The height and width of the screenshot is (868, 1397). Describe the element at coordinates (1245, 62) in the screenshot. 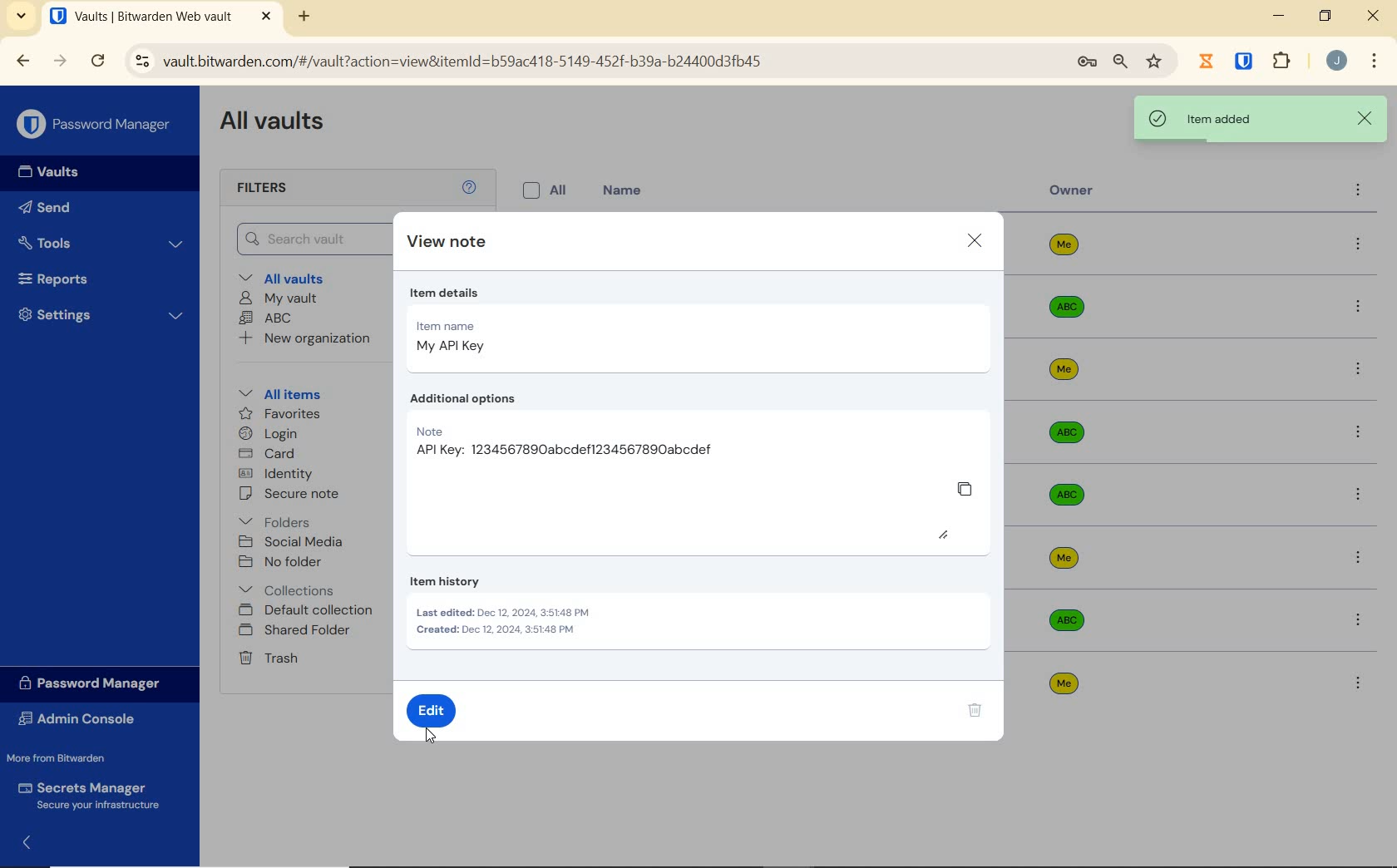

I see `BITWARDEN` at that location.